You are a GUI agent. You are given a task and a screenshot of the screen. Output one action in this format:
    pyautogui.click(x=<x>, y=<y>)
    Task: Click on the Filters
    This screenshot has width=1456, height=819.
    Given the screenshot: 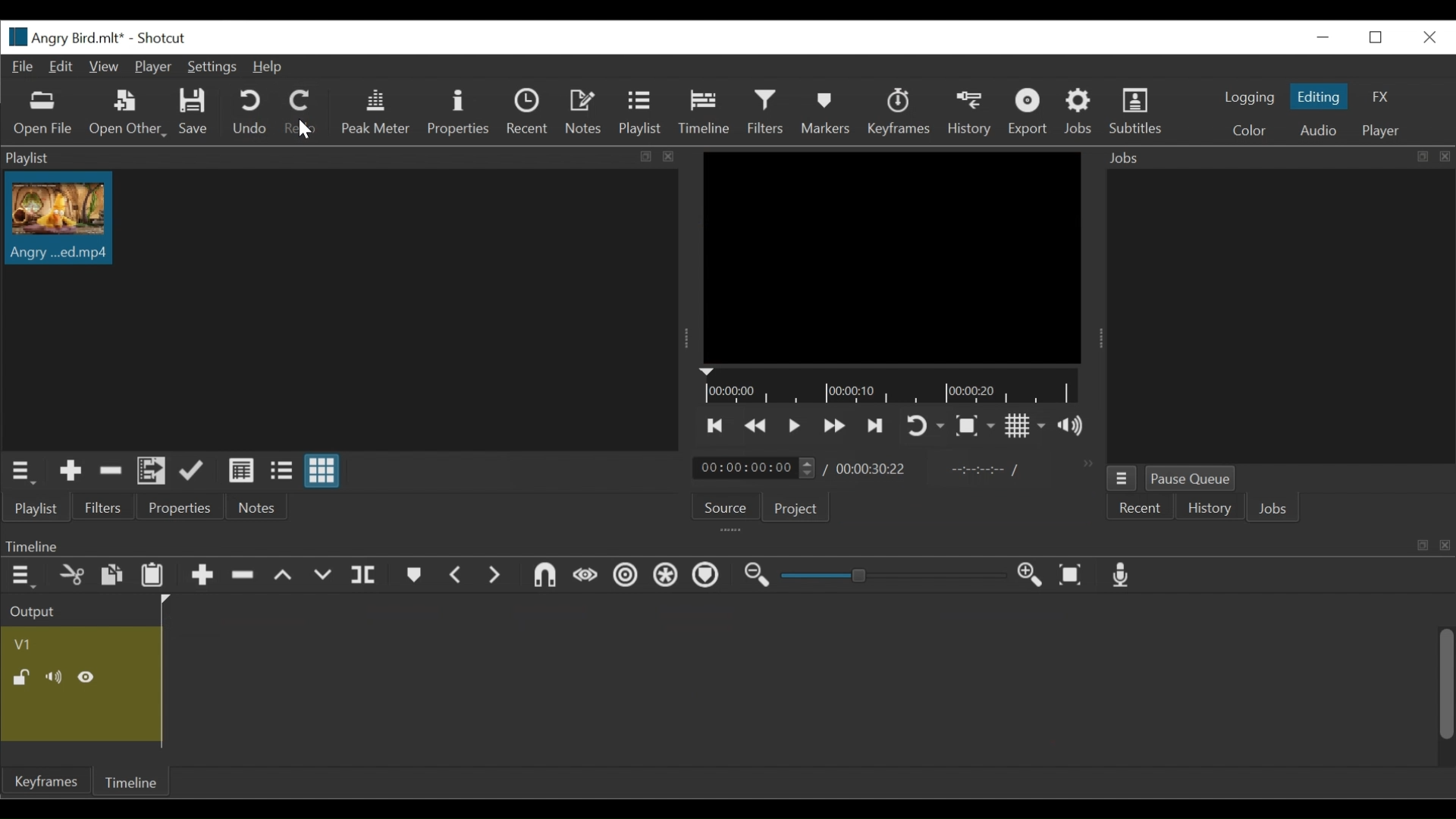 What is the action you would take?
    pyautogui.click(x=765, y=112)
    